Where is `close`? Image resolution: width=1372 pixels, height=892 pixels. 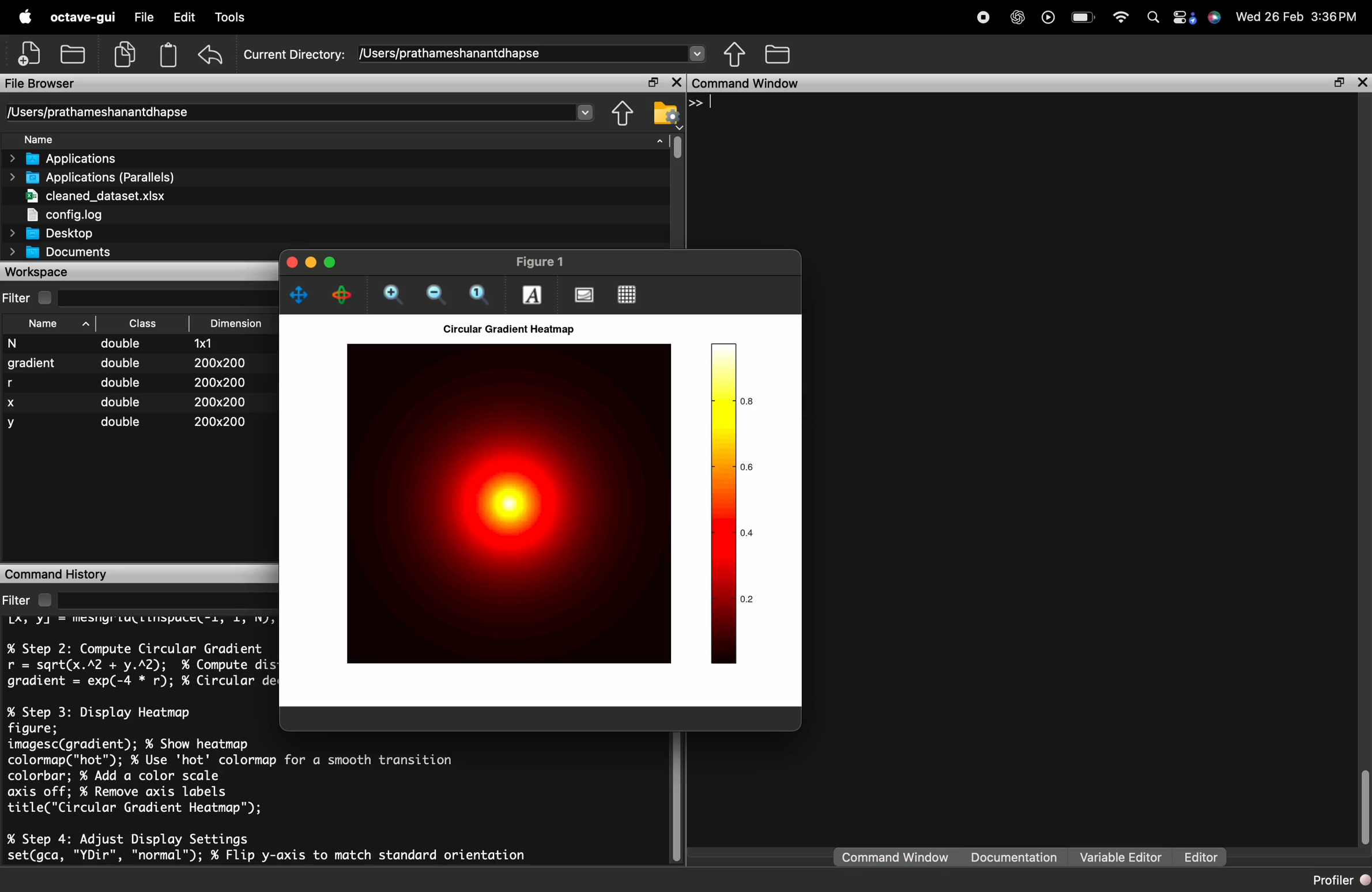 close is located at coordinates (675, 83).